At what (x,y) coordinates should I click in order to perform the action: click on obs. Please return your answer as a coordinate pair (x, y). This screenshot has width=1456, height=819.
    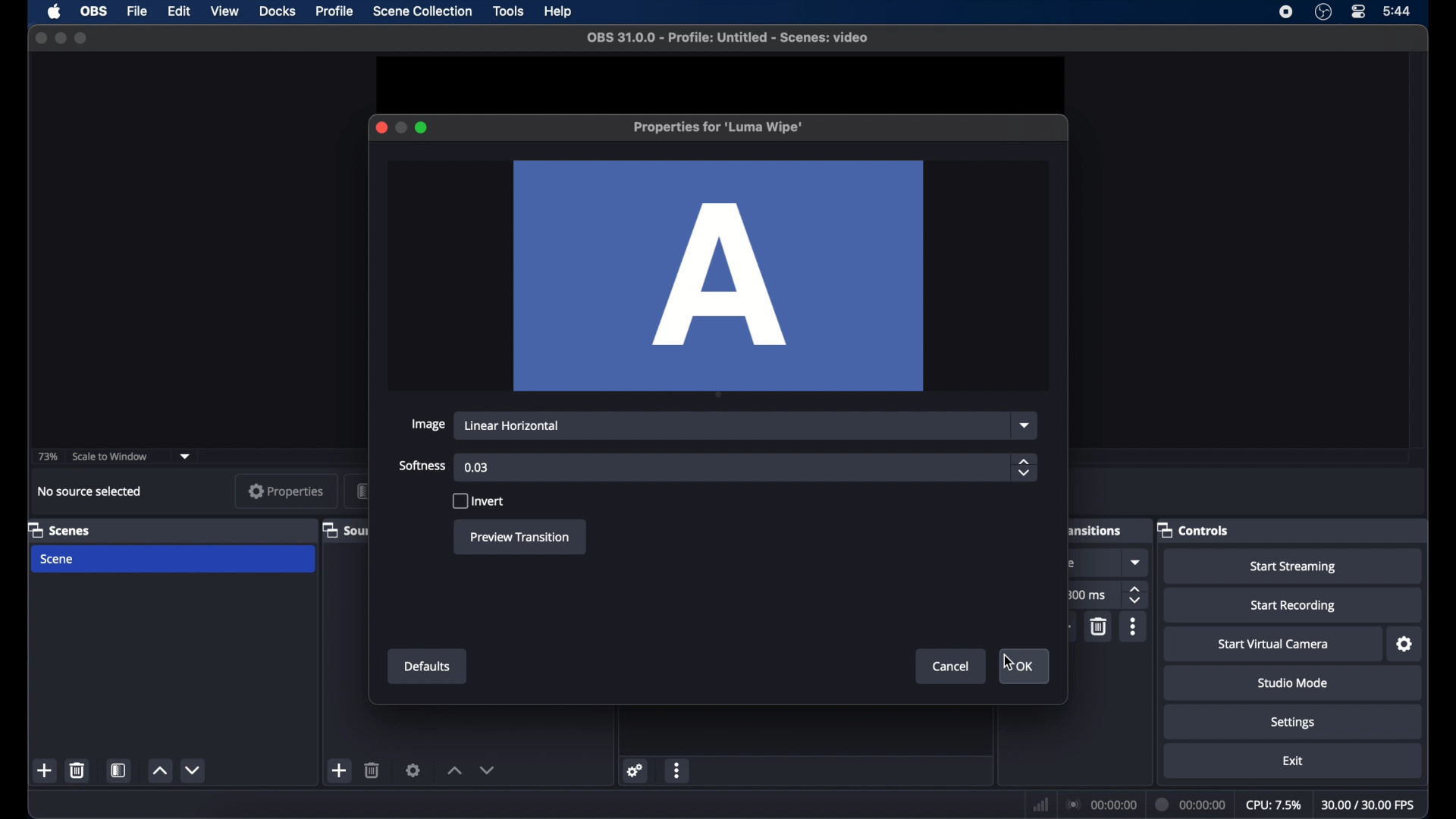
    Looking at the image, I should click on (94, 11).